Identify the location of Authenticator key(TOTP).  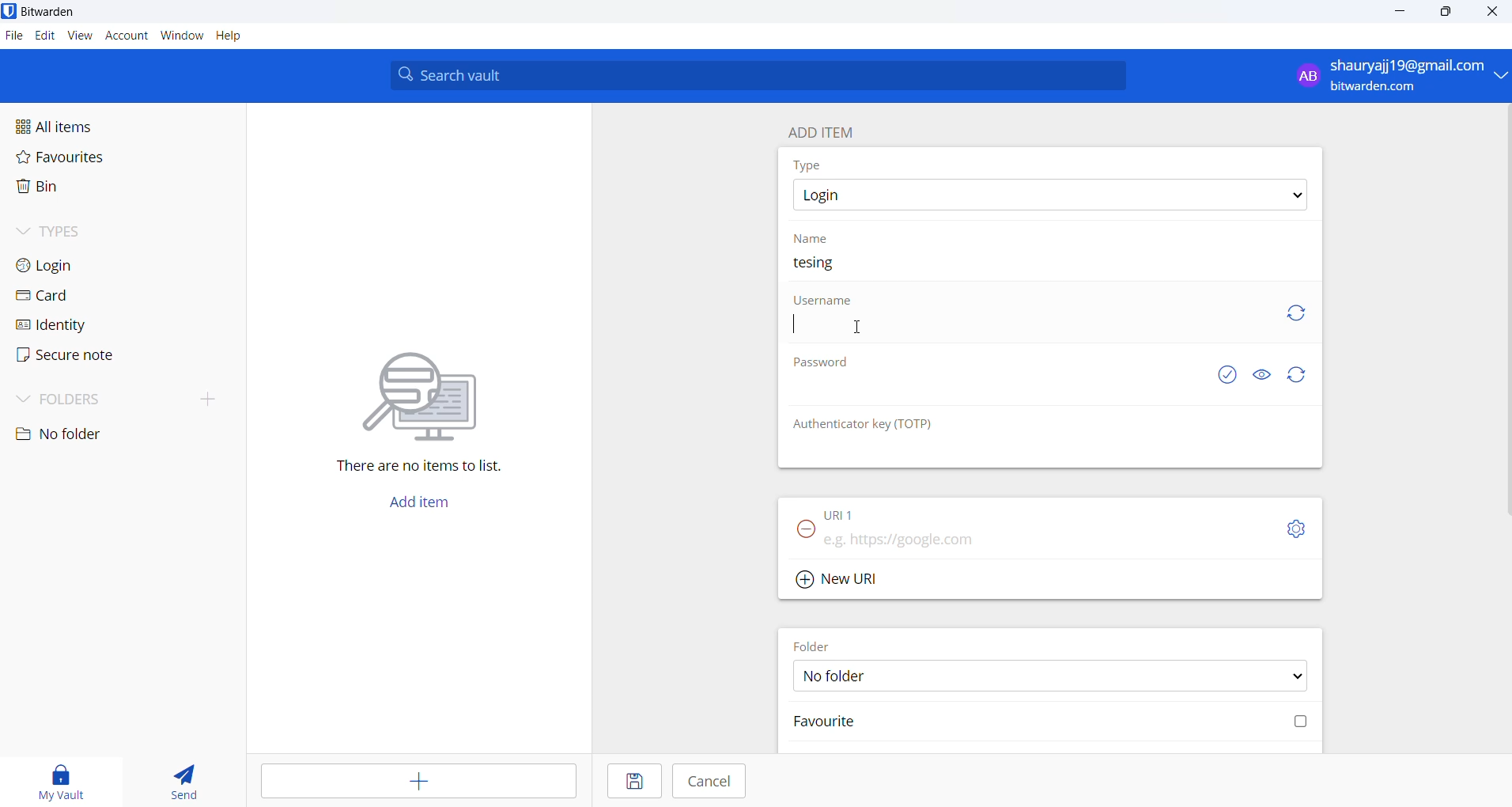
(864, 425).